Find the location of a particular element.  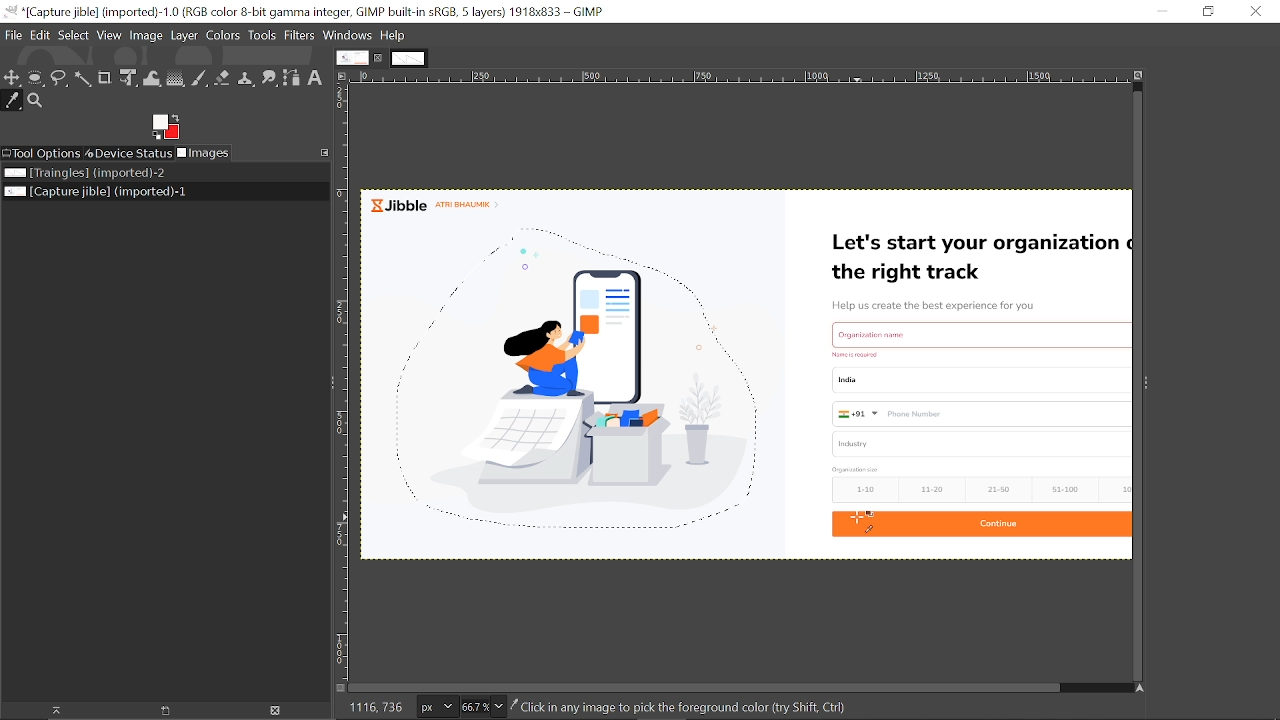

Image file titled "Traingle" is located at coordinates (158, 172).